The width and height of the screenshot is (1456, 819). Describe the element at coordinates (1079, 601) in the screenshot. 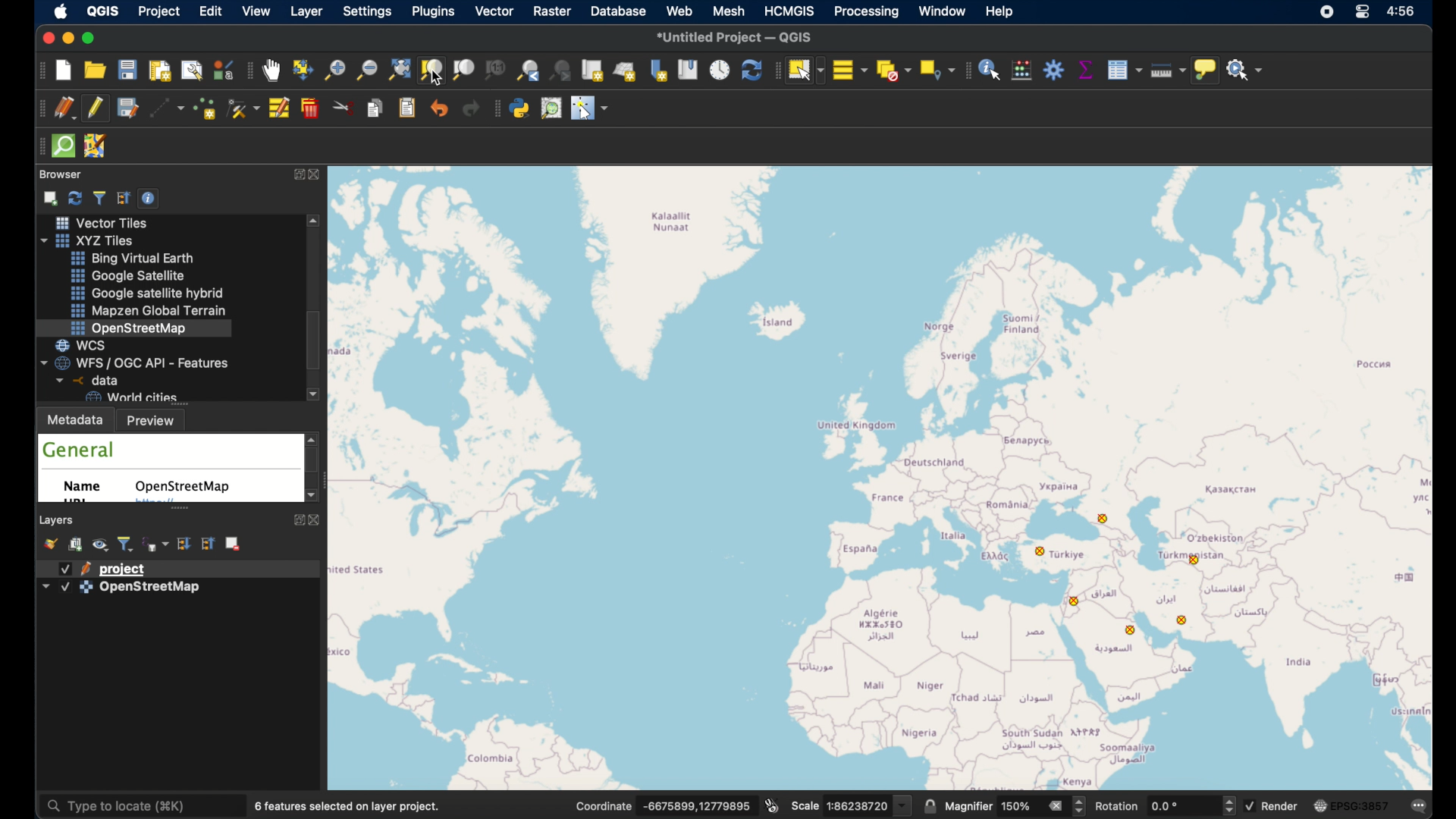

I see `point feature` at that location.